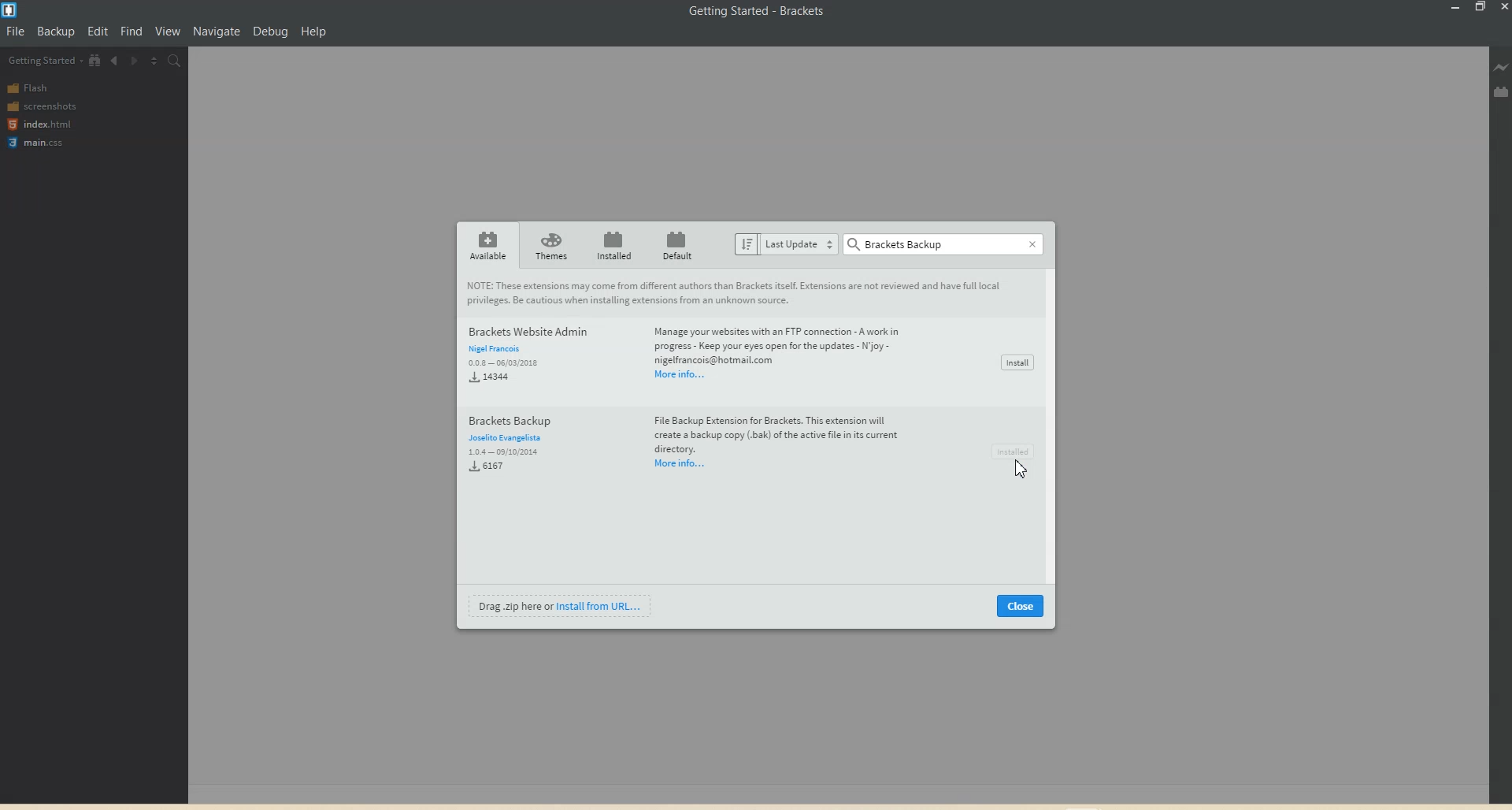 Image resolution: width=1512 pixels, height=810 pixels. Describe the element at coordinates (528, 355) in the screenshot. I see `Brackets Website Admin Nigel Francois 0.0.8 - 06/03/2018 14344` at that location.